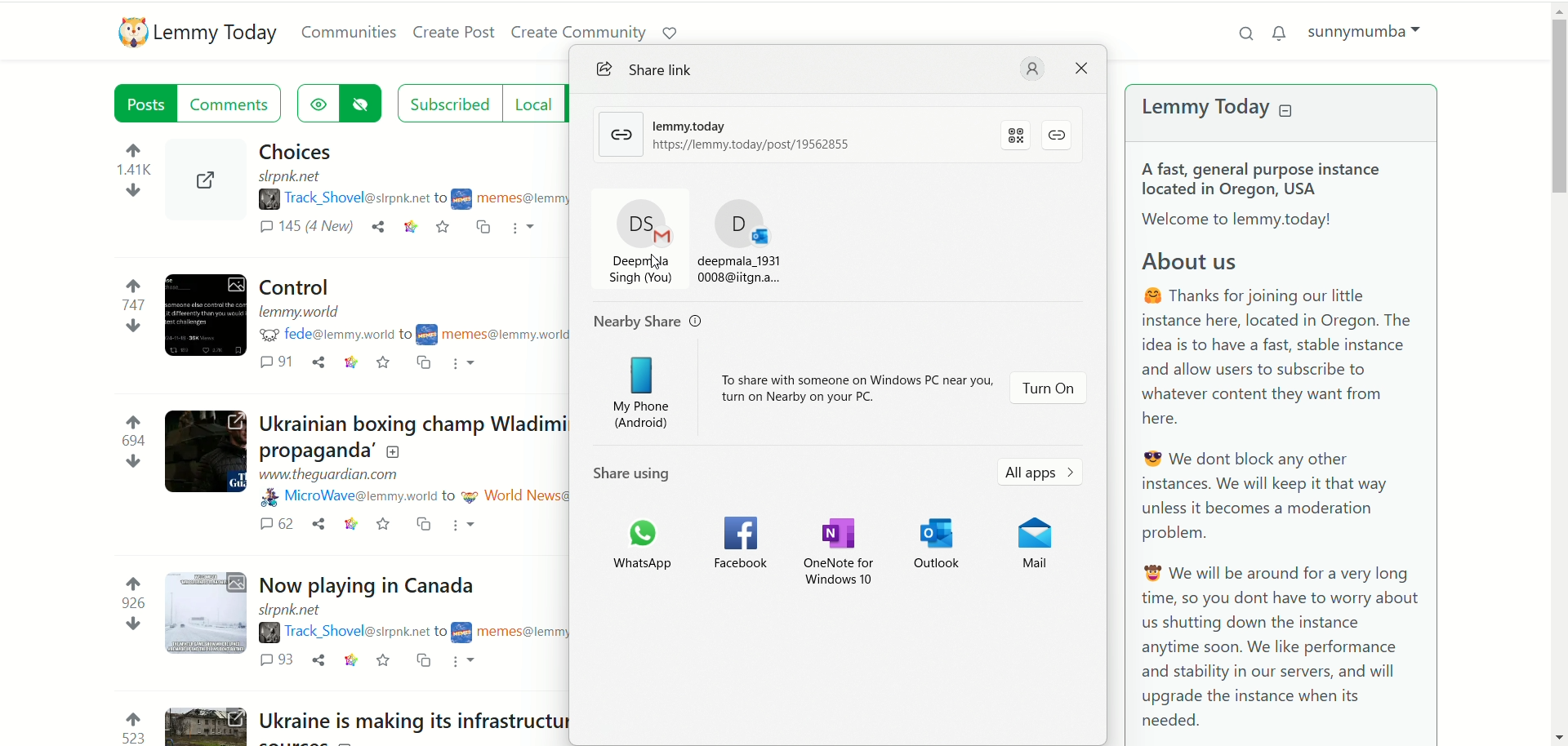 The height and width of the screenshot is (746, 1568). Describe the element at coordinates (656, 269) in the screenshot. I see `Pointer` at that location.